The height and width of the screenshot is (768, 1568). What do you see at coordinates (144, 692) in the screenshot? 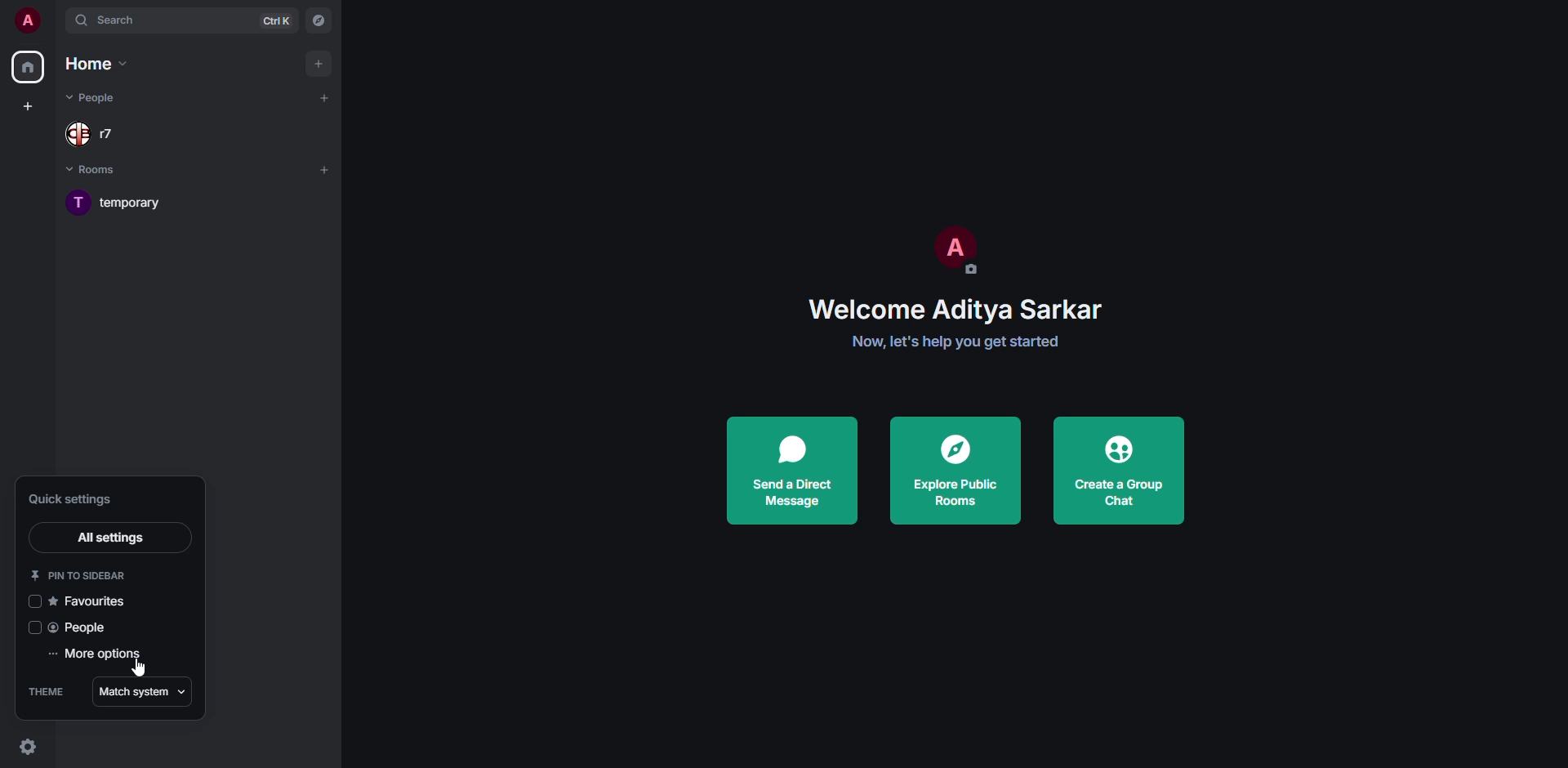
I see `match system` at bounding box center [144, 692].